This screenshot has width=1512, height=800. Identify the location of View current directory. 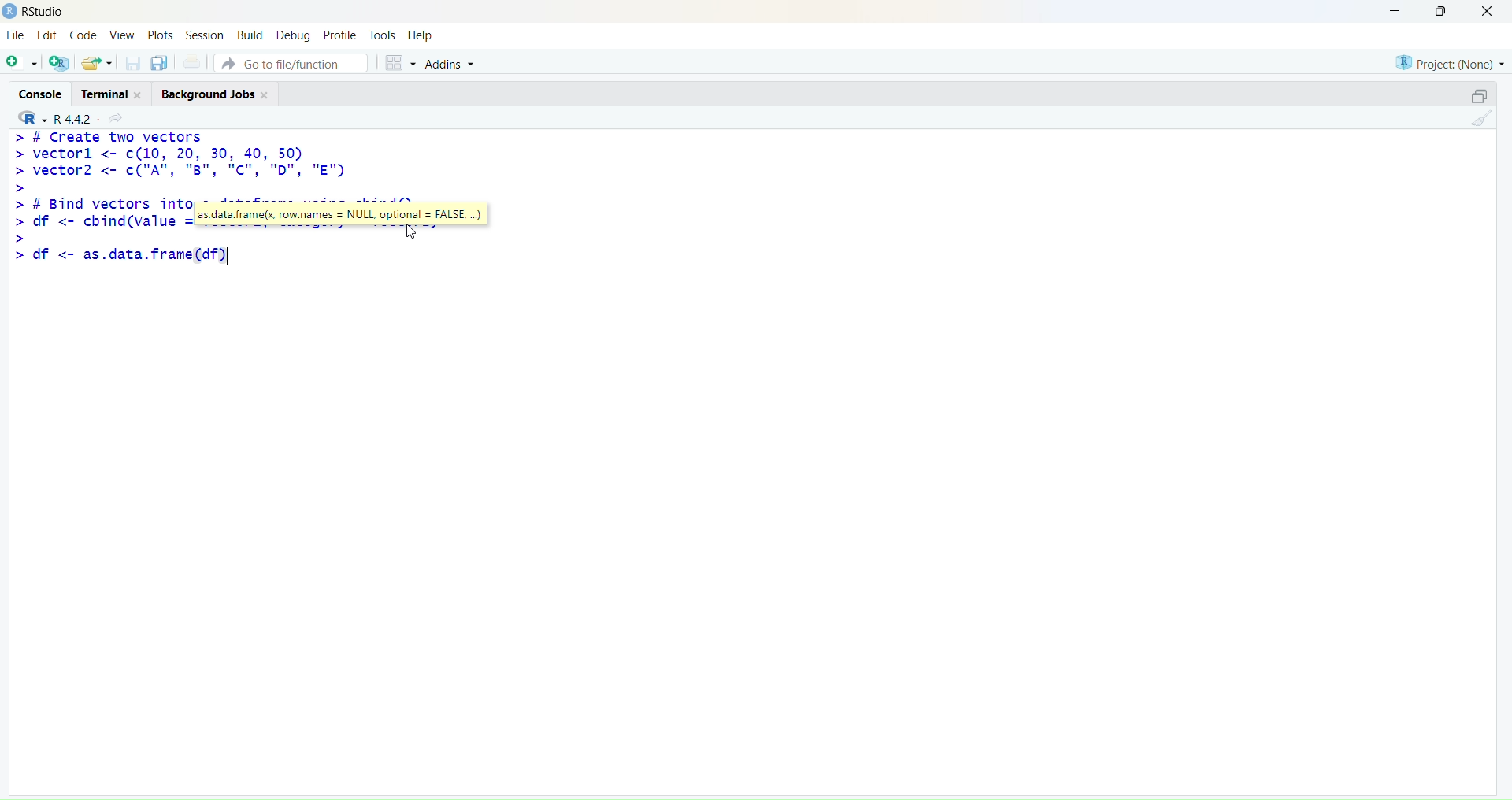
(118, 119).